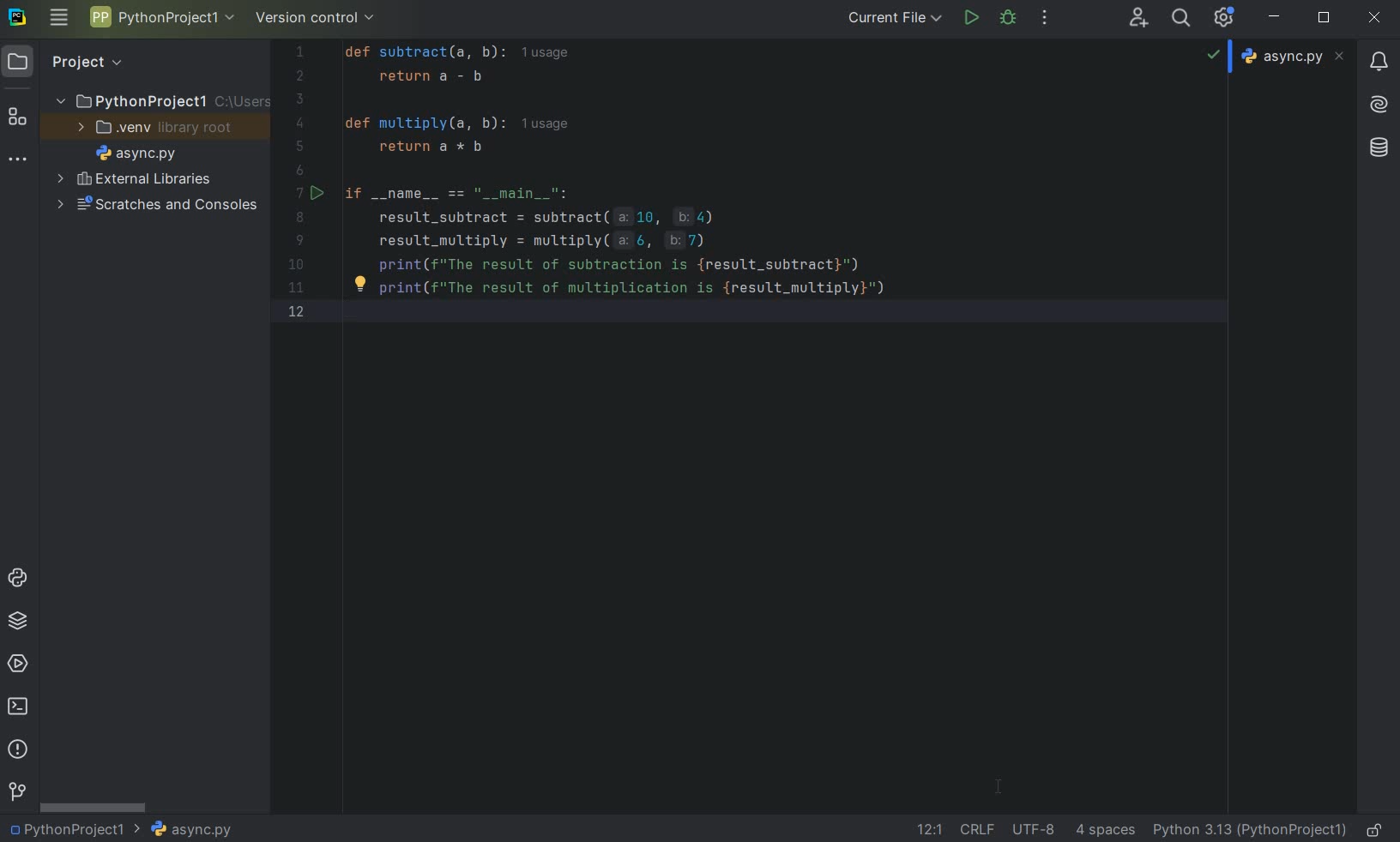 Image resolution: width=1400 pixels, height=842 pixels. Describe the element at coordinates (1375, 17) in the screenshot. I see `close` at that location.